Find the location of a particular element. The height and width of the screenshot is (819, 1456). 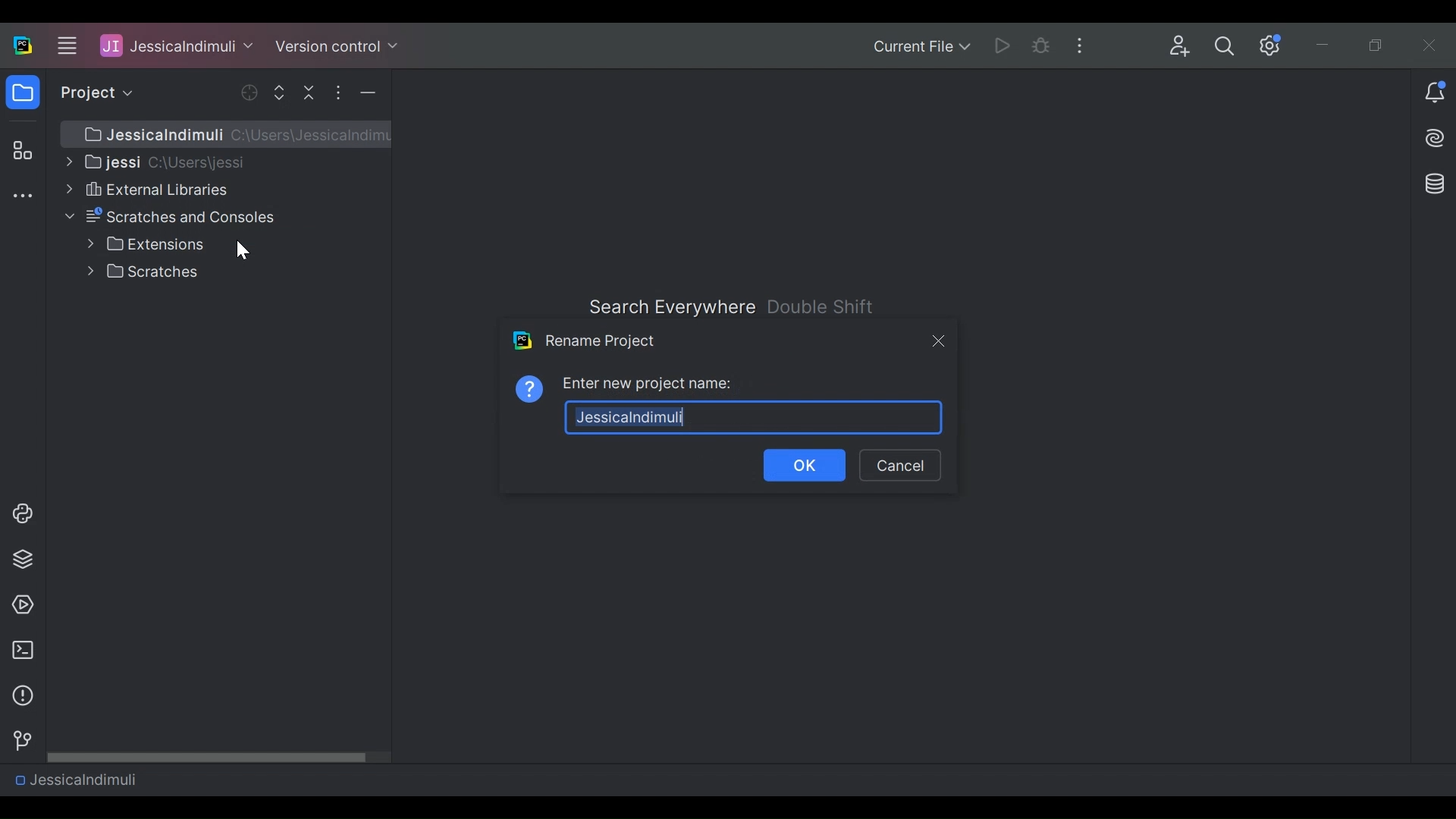

Current File is located at coordinates (921, 48).